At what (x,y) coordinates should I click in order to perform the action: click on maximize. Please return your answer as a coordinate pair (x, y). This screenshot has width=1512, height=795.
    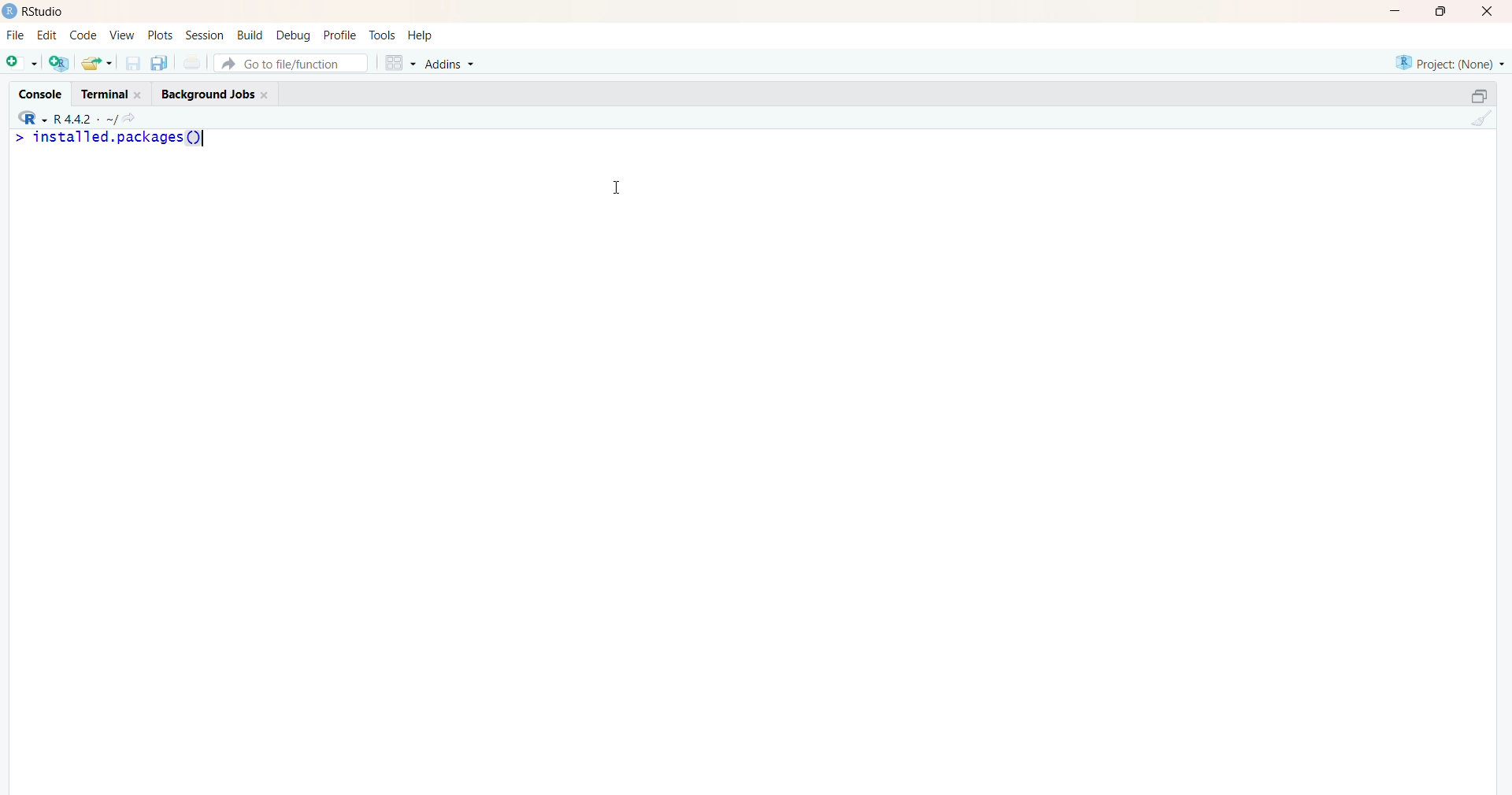
    Looking at the image, I should click on (1440, 11).